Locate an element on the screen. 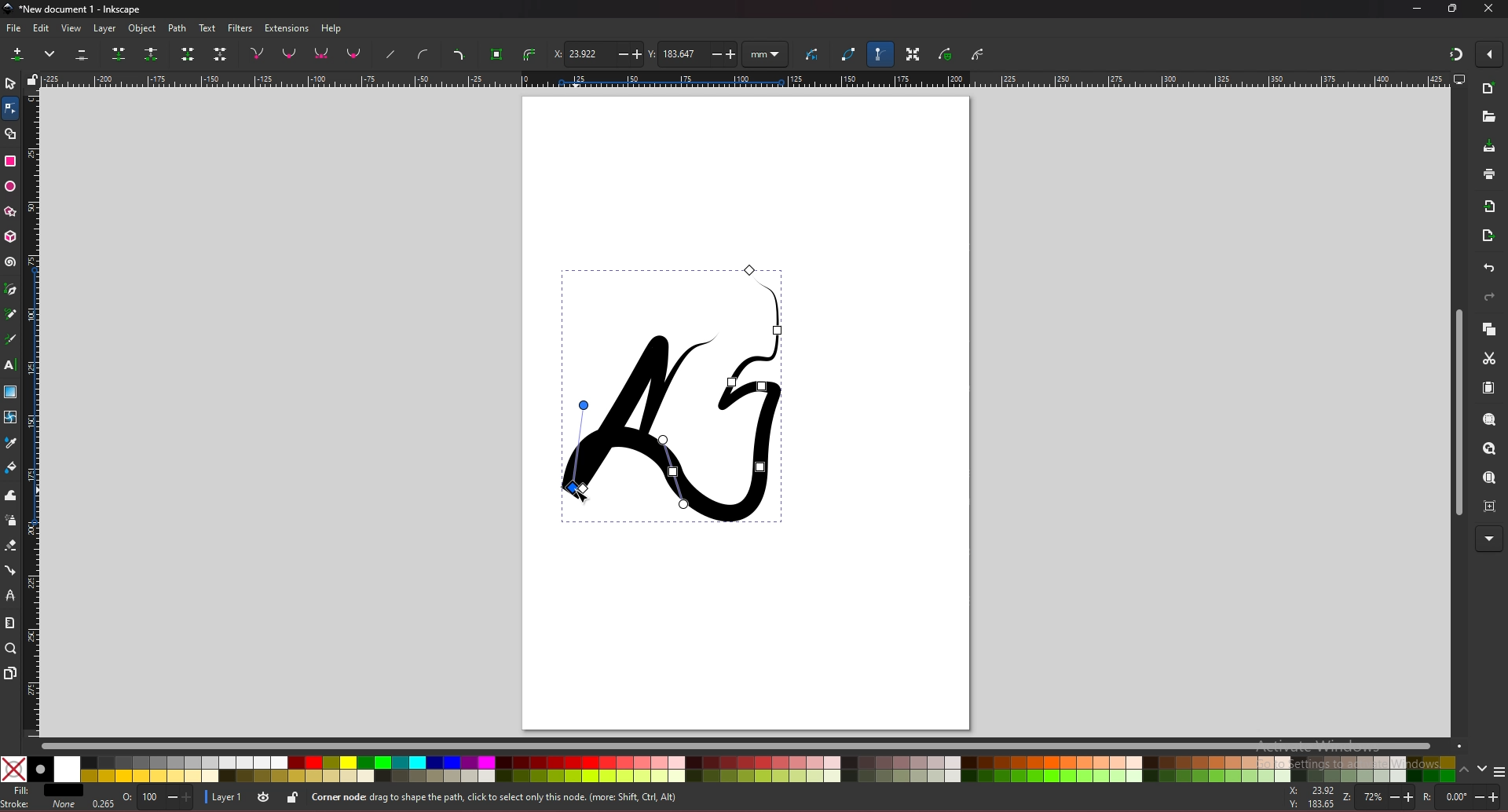 This screenshot has width=1508, height=812. close is located at coordinates (1489, 9).